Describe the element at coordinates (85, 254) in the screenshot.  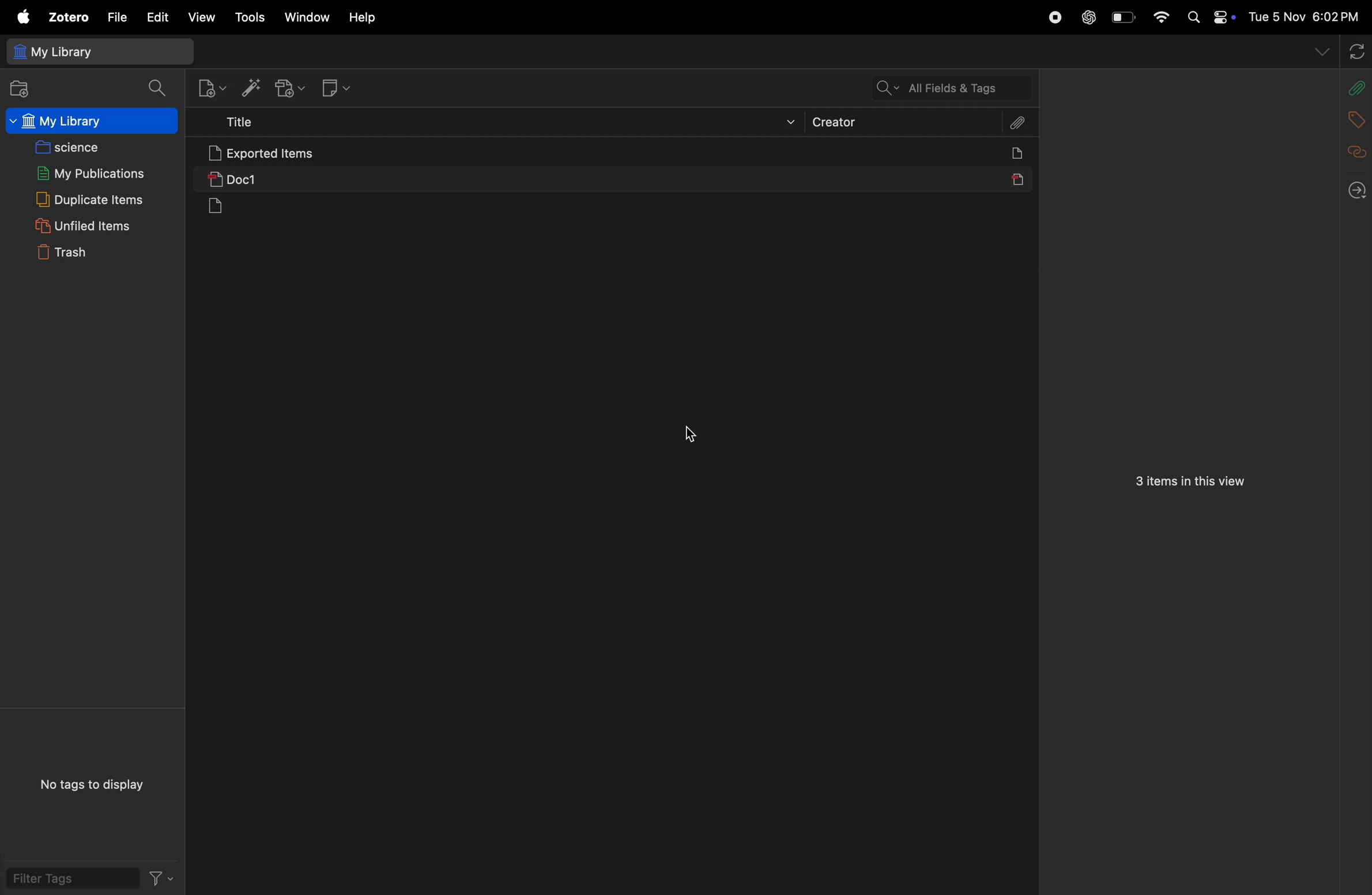
I see `trash` at that location.